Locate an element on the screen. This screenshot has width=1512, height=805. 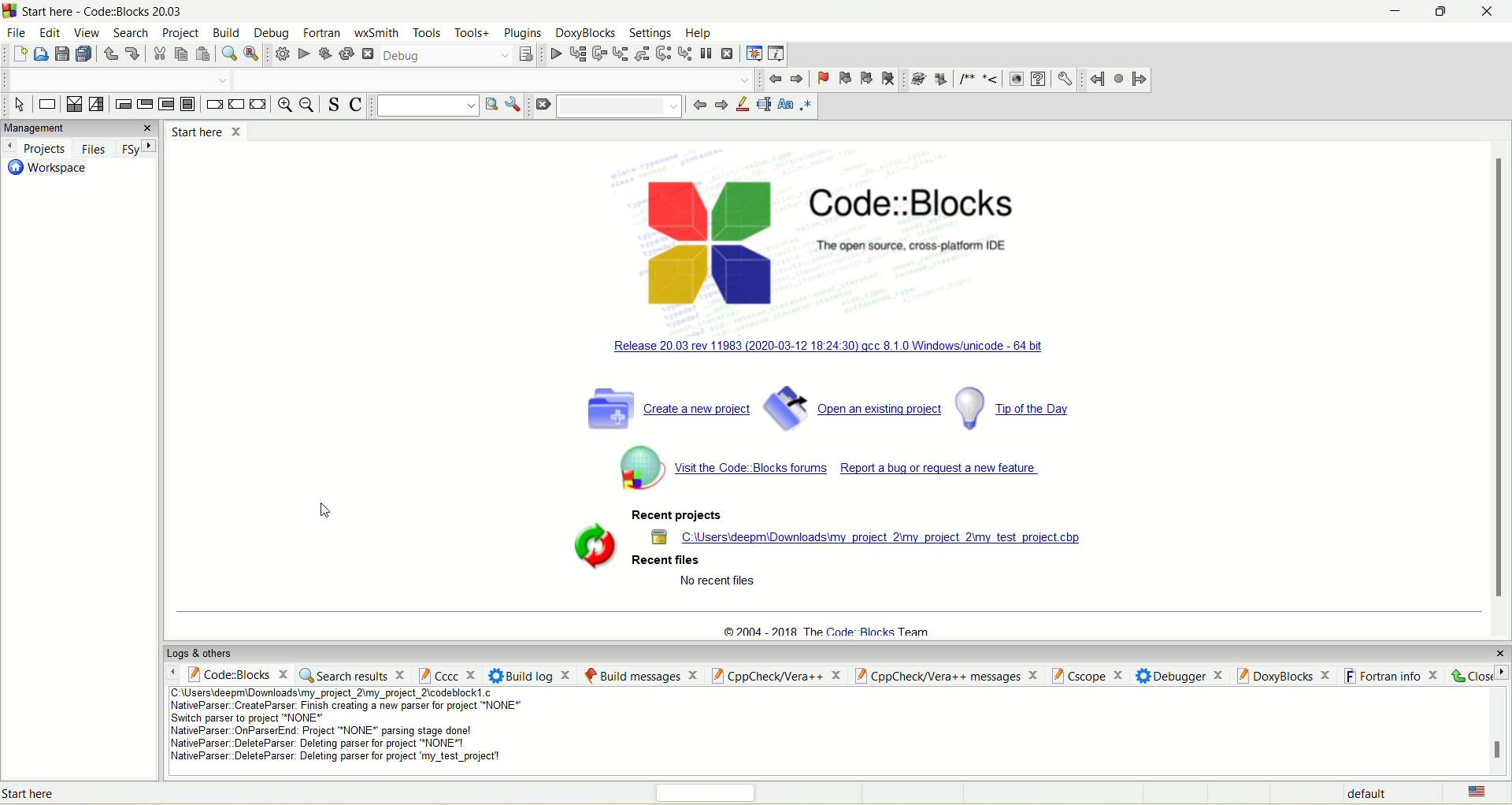
location of project is located at coordinates (881, 538).